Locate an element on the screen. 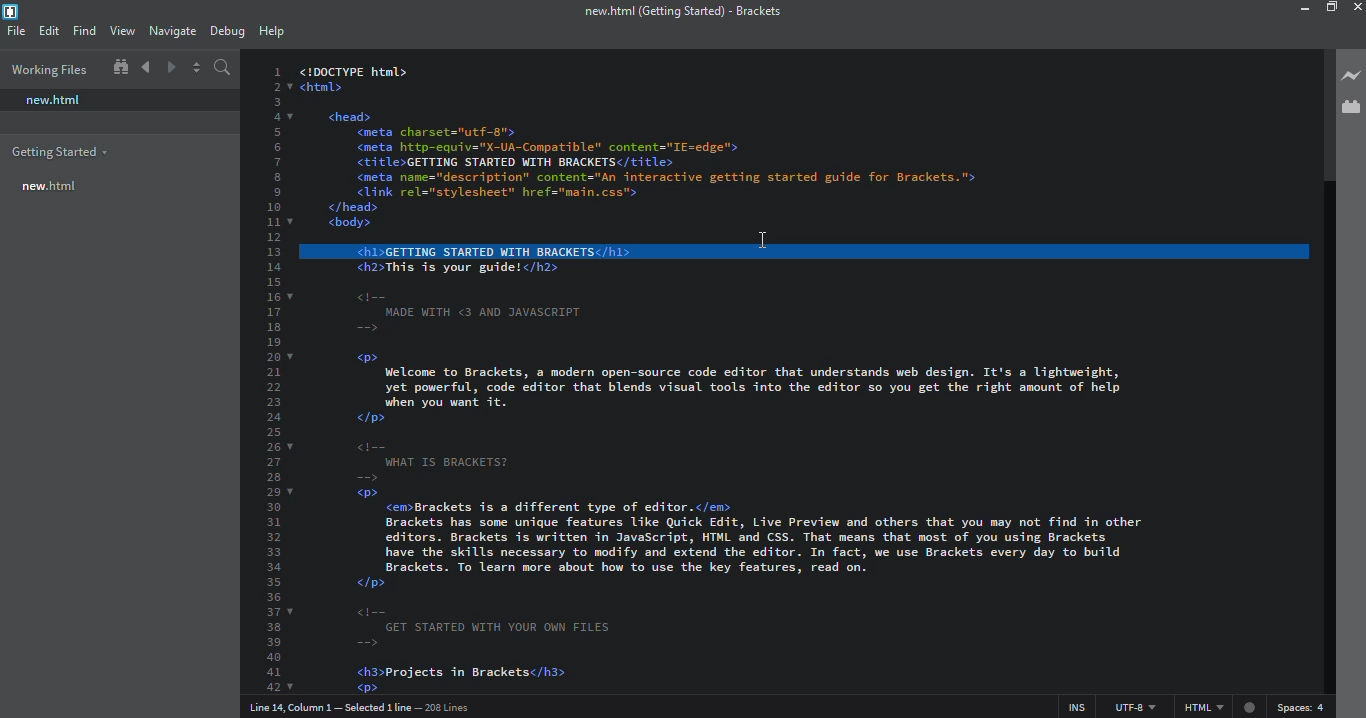 The image size is (1366, 718). new is located at coordinates (50, 184).